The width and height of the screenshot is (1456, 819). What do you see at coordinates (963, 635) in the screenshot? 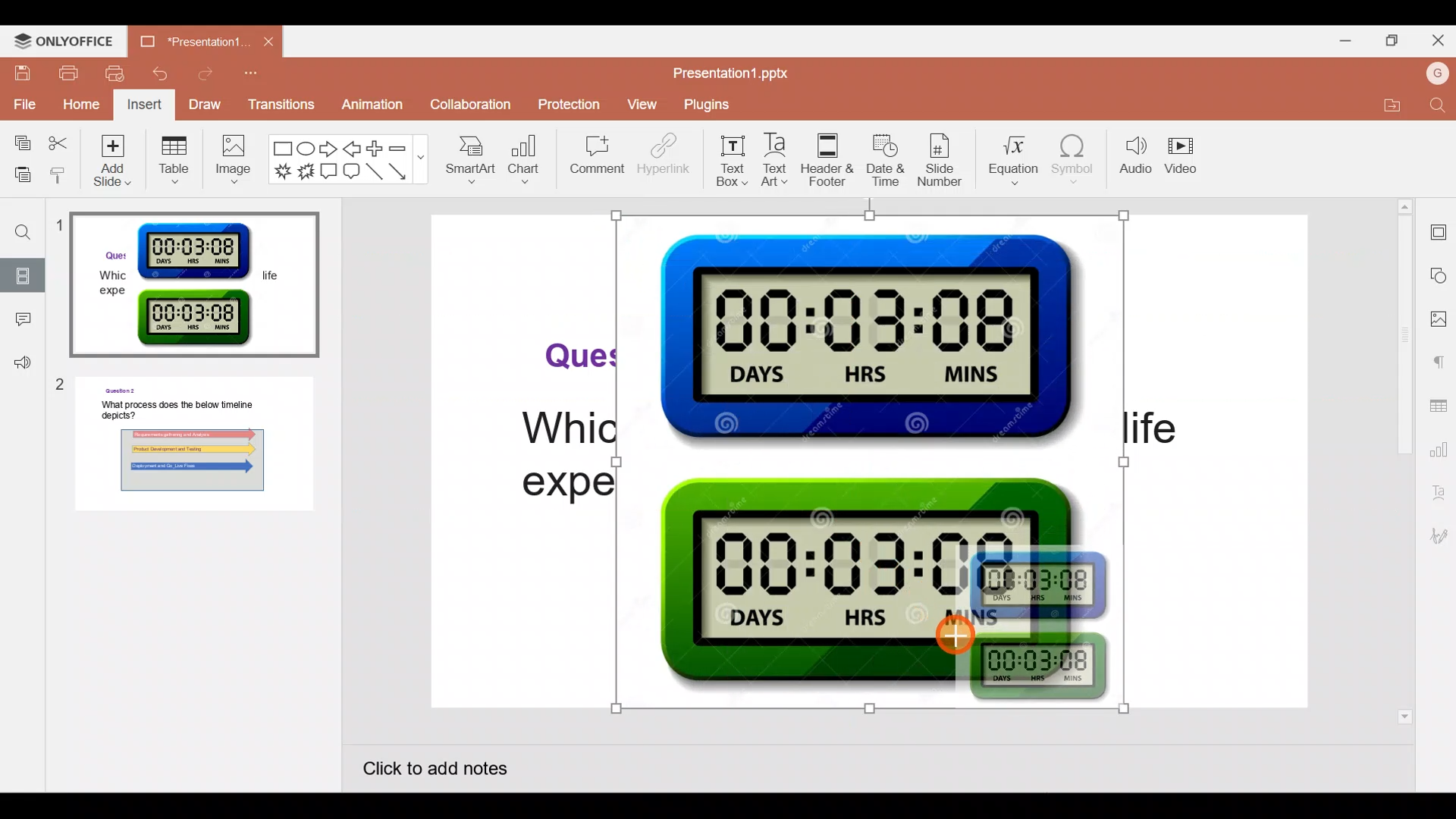
I see `Cursor on inserted image 1` at bounding box center [963, 635].